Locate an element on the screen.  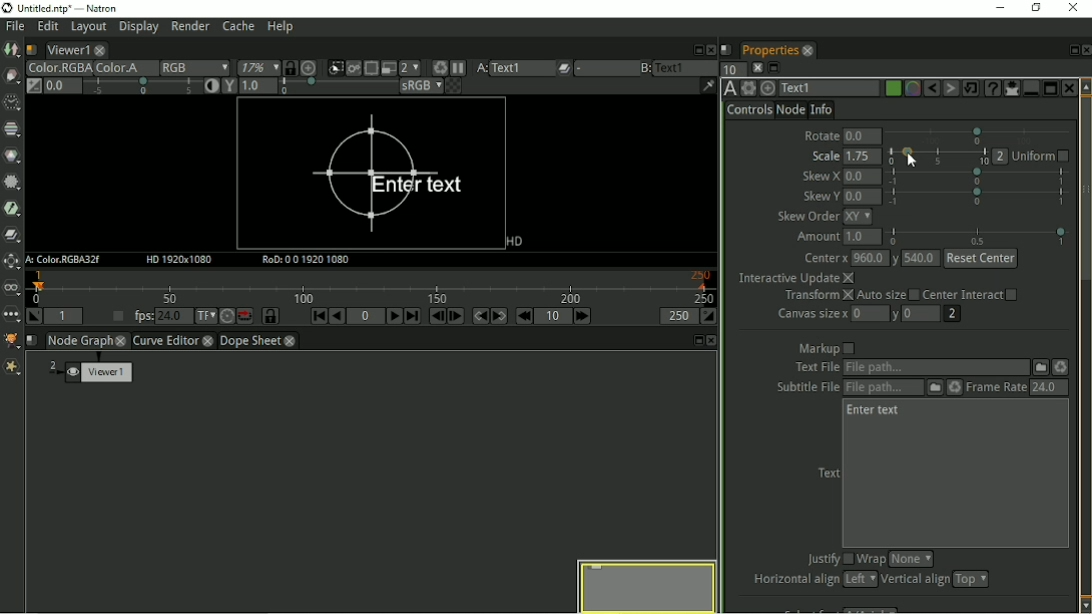
Scale down rendered image is located at coordinates (410, 67).